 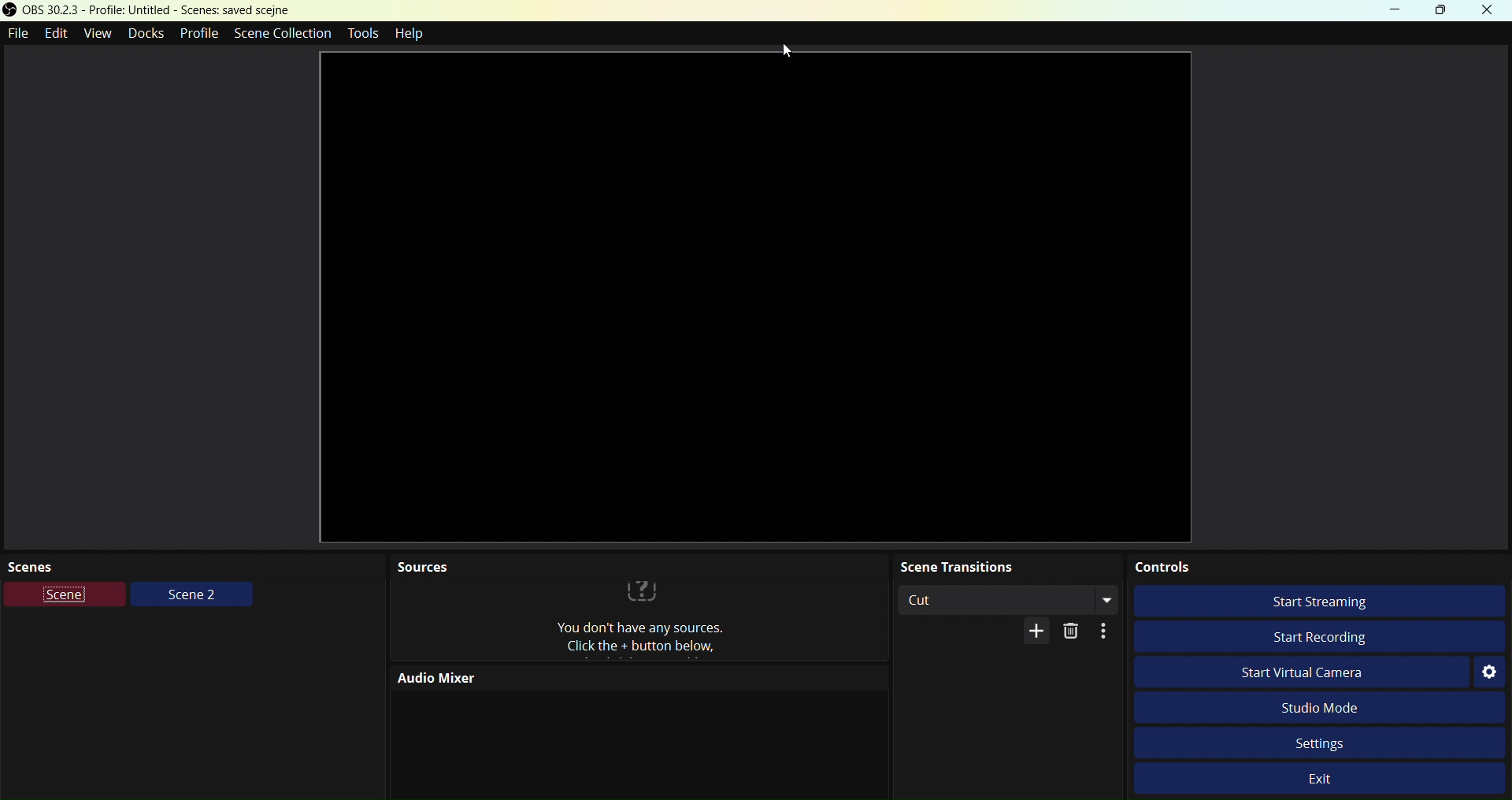 What do you see at coordinates (17, 35) in the screenshot?
I see `File` at bounding box center [17, 35].